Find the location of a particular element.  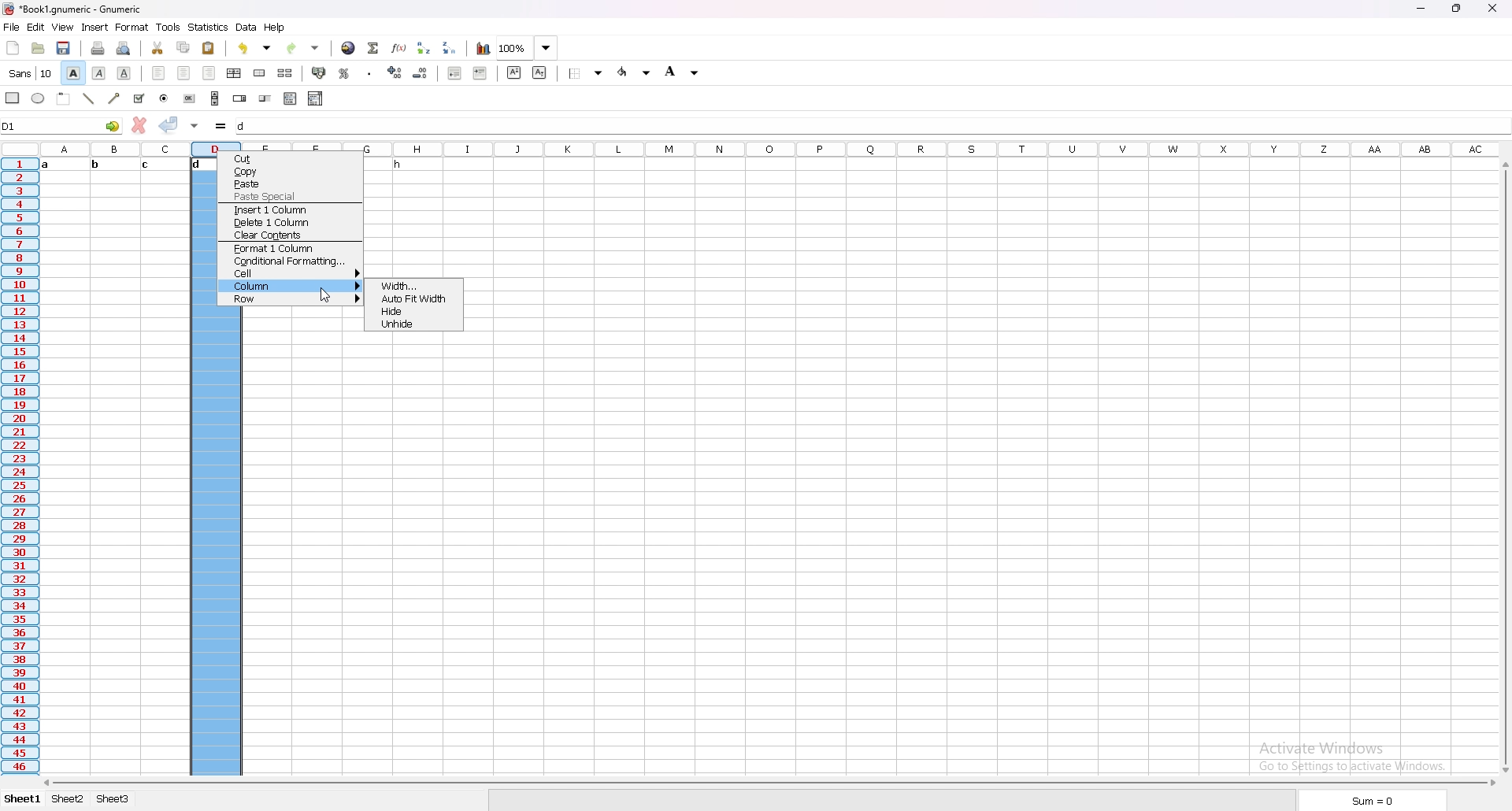

function is located at coordinates (398, 48).